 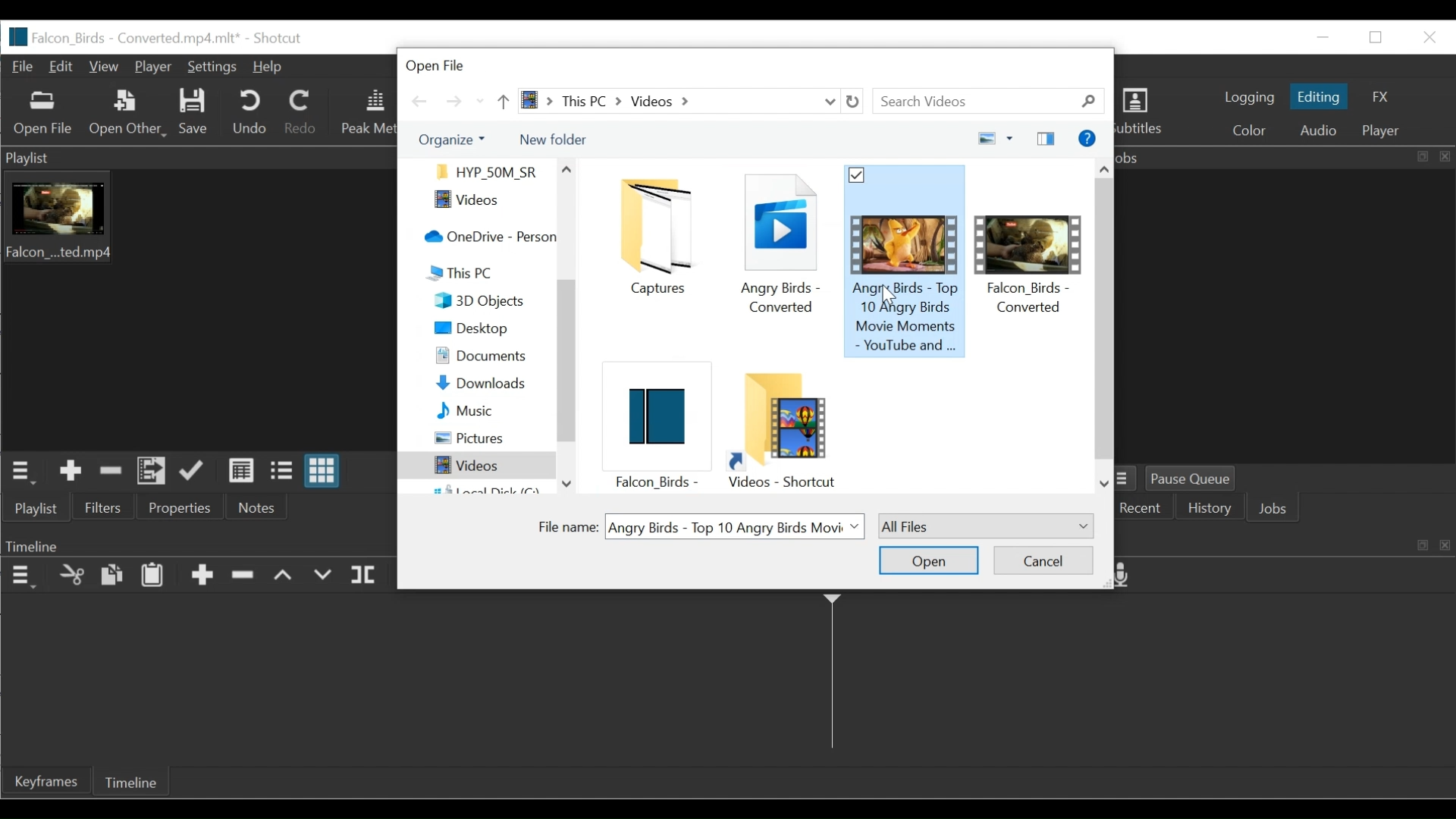 What do you see at coordinates (24, 67) in the screenshot?
I see `File` at bounding box center [24, 67].